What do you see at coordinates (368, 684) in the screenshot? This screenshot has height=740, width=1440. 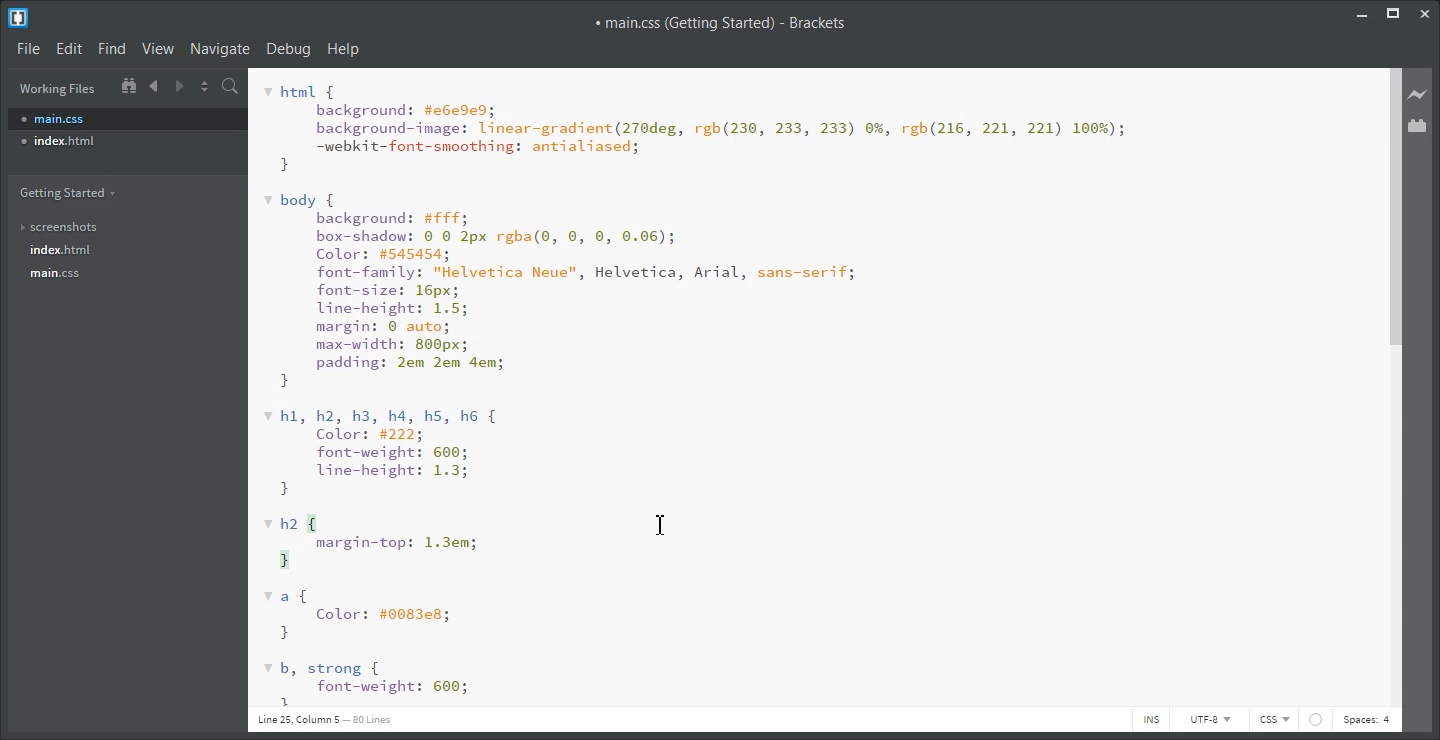 I see `b, strong {font-weight: 600;}` at bounding box center [368, 684].